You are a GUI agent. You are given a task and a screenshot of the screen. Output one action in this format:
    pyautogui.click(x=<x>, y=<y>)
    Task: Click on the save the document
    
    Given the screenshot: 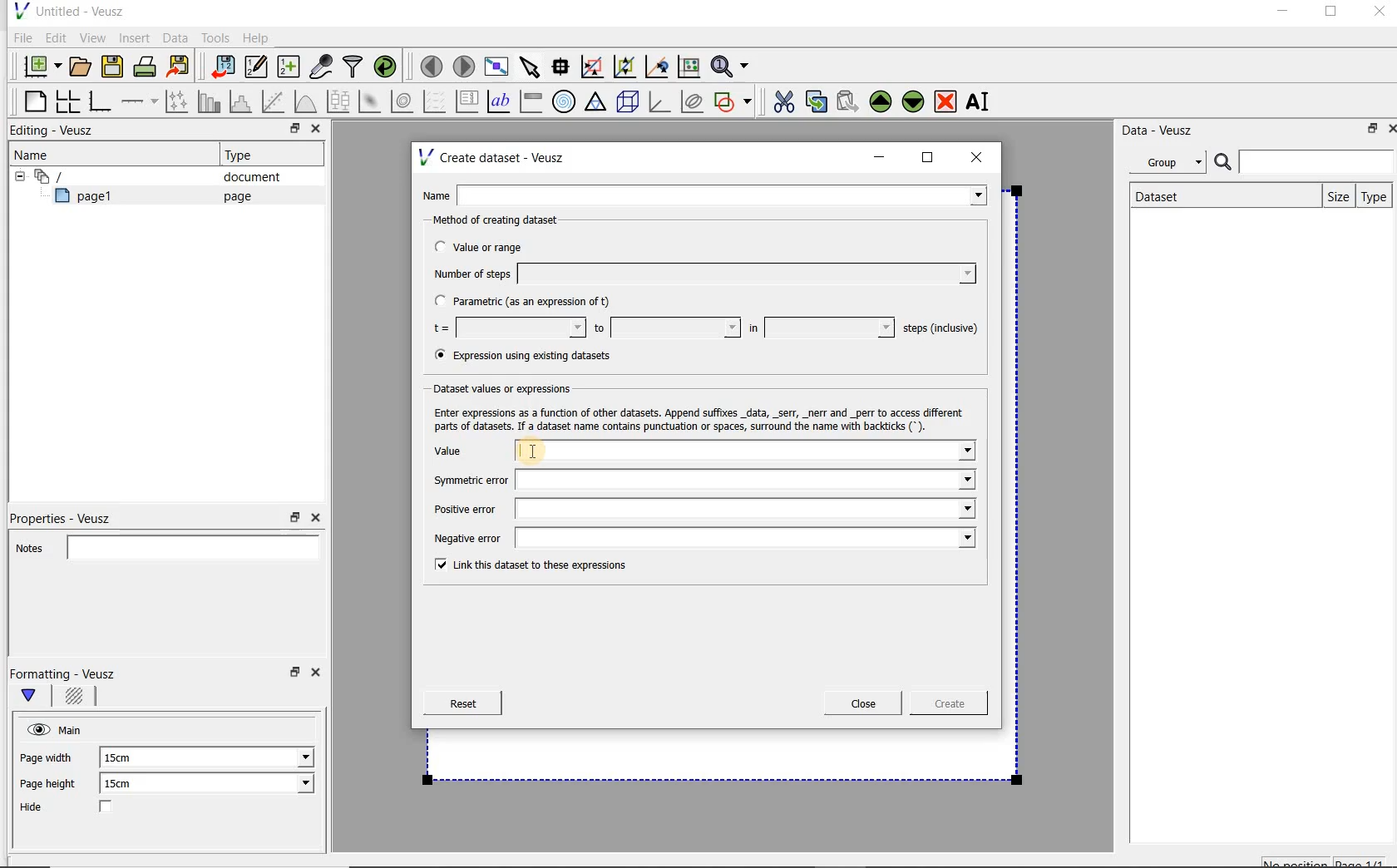 What is the action you would take?
    pyautogui.click(x=116, y=67)
    